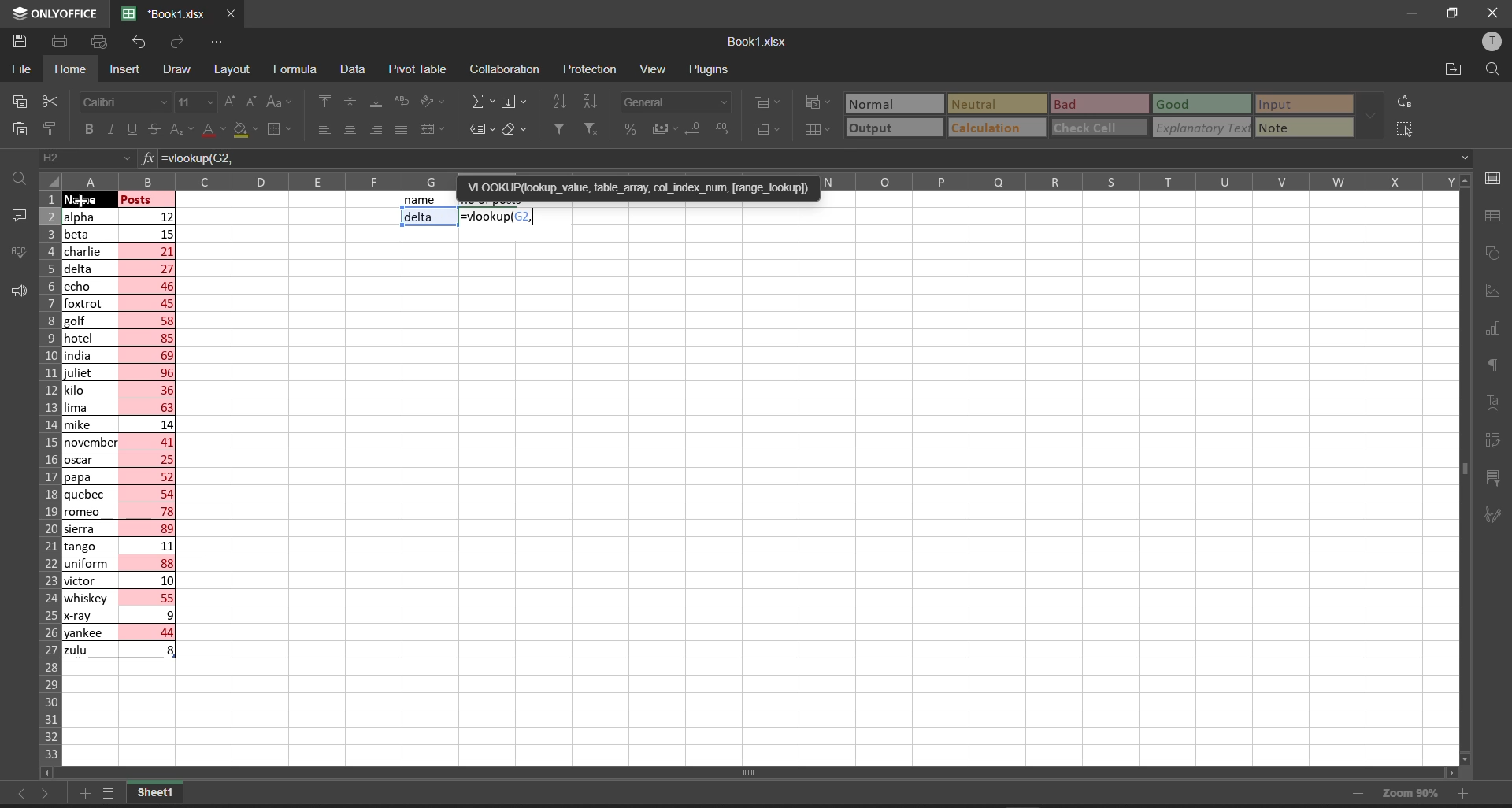 This screenshot has width=1512, height=808. Describe the element at coordinates (561, 102) in the screenshot. I see `sort ascending` at that location.